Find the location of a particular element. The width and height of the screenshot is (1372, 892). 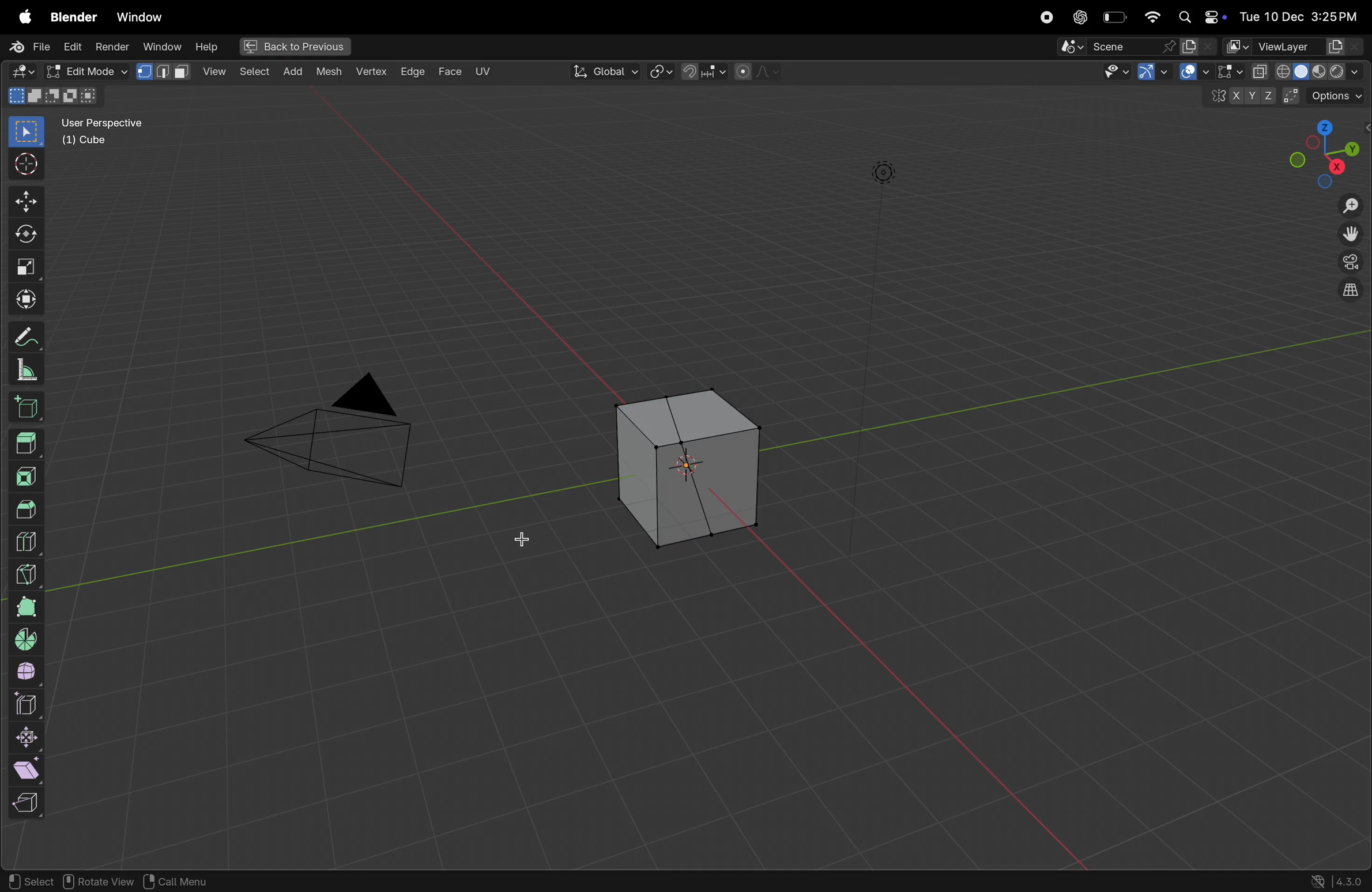

orthographic view is located at coordinates (1347, 293).